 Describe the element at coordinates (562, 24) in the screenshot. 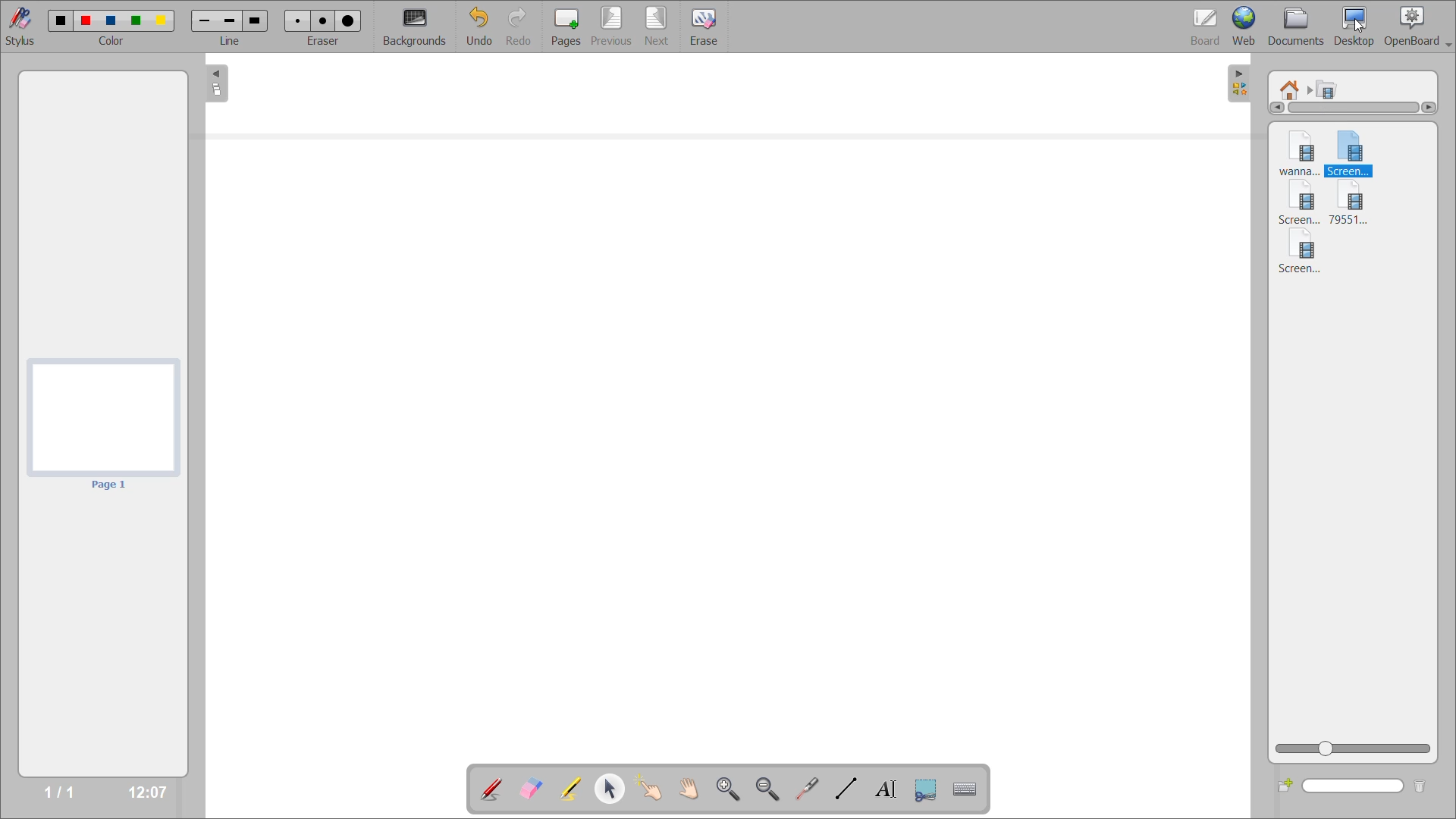

I see `pages` at that location.